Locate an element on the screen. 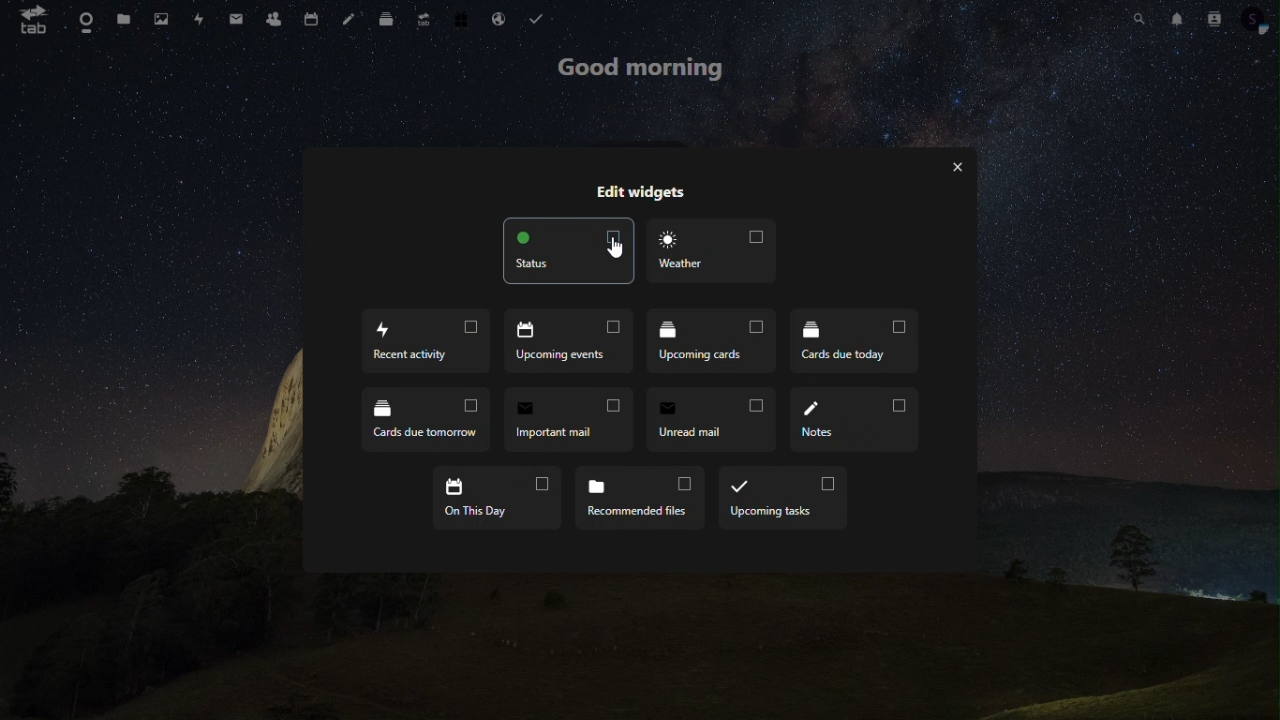 This screenshot has width=1280, height=720. recent activity is located at coordinates (428, 341).